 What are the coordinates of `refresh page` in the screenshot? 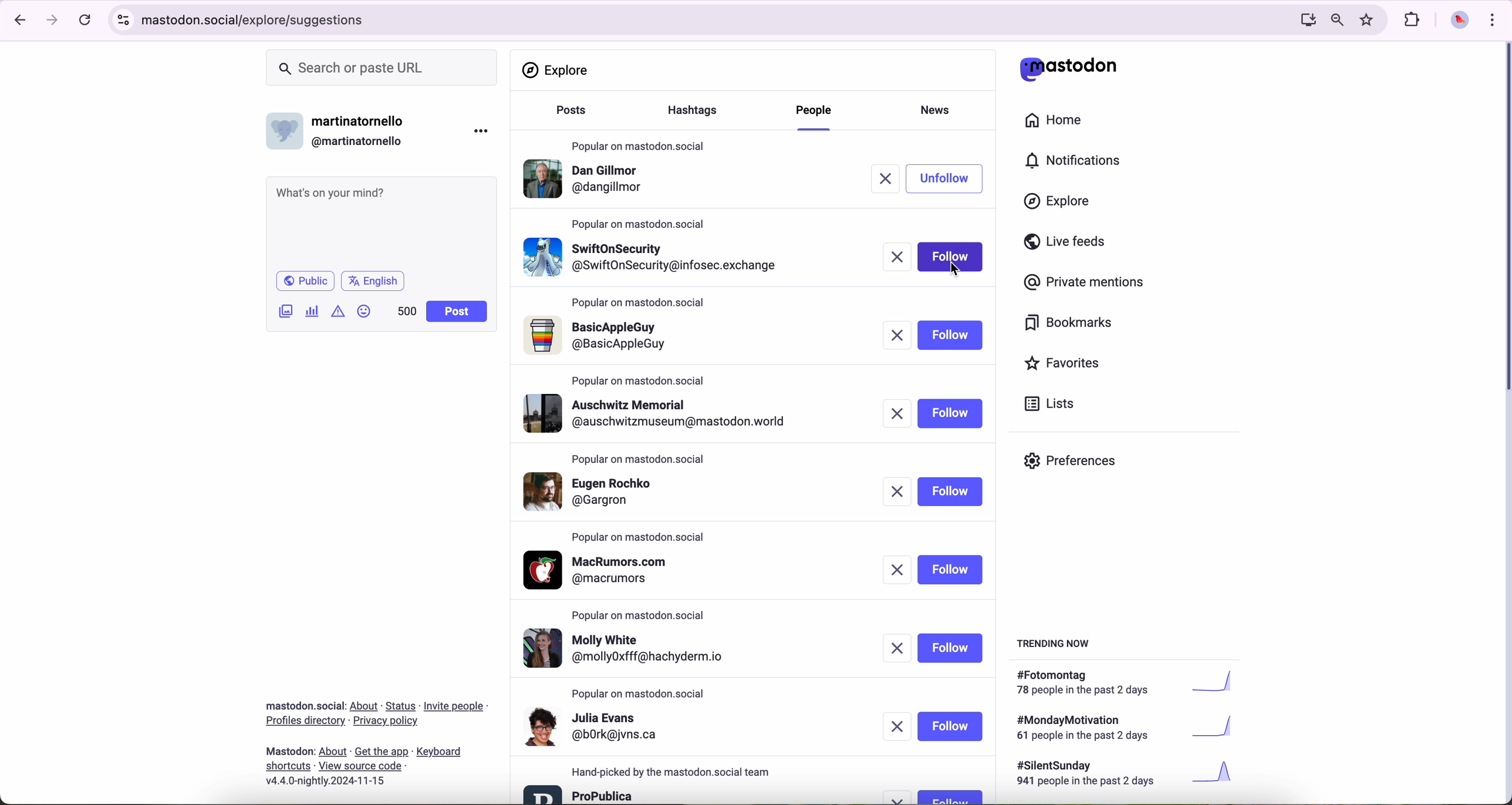 It's located at (86, 21).